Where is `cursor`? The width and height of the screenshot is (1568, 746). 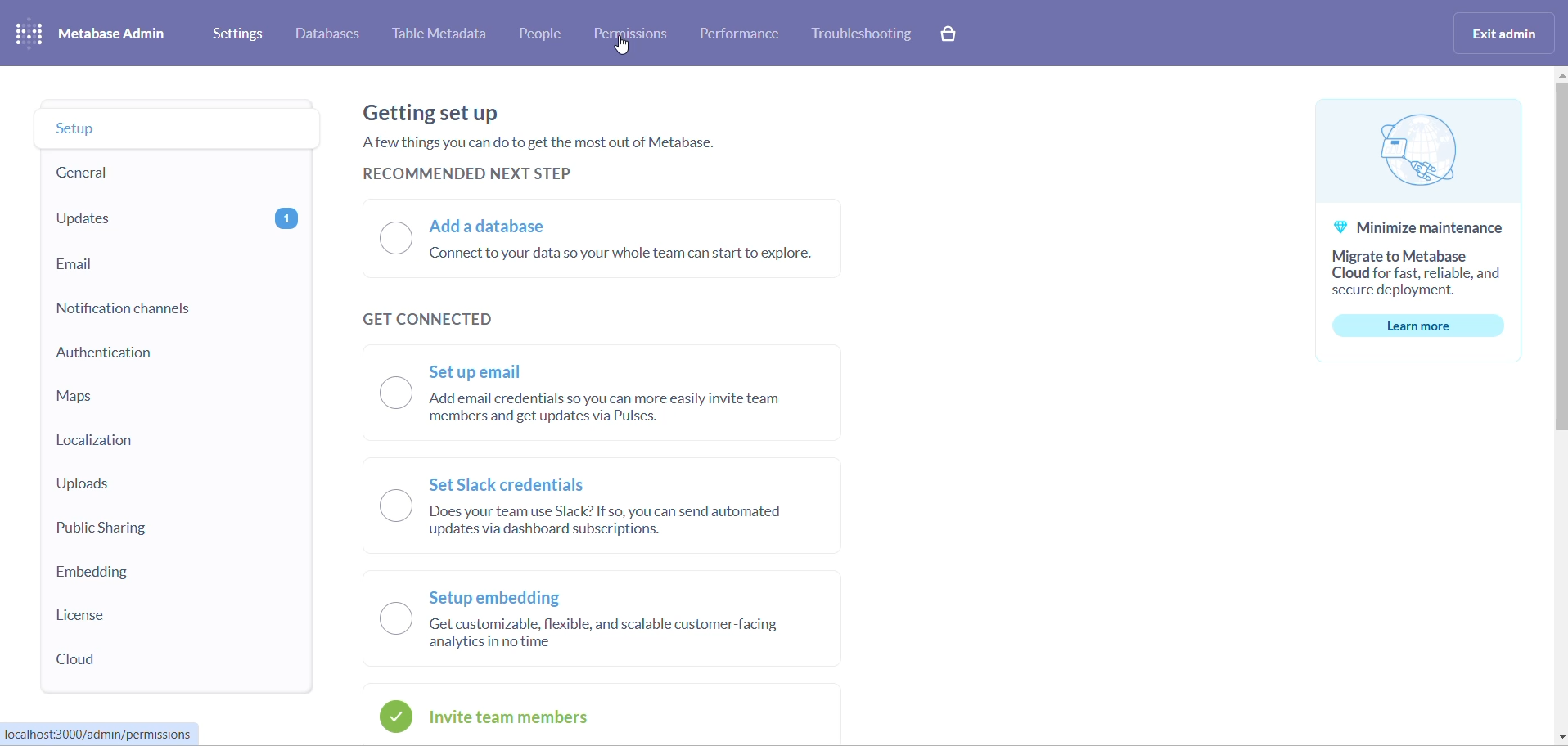
cursor is located at coordinates (629, 48).